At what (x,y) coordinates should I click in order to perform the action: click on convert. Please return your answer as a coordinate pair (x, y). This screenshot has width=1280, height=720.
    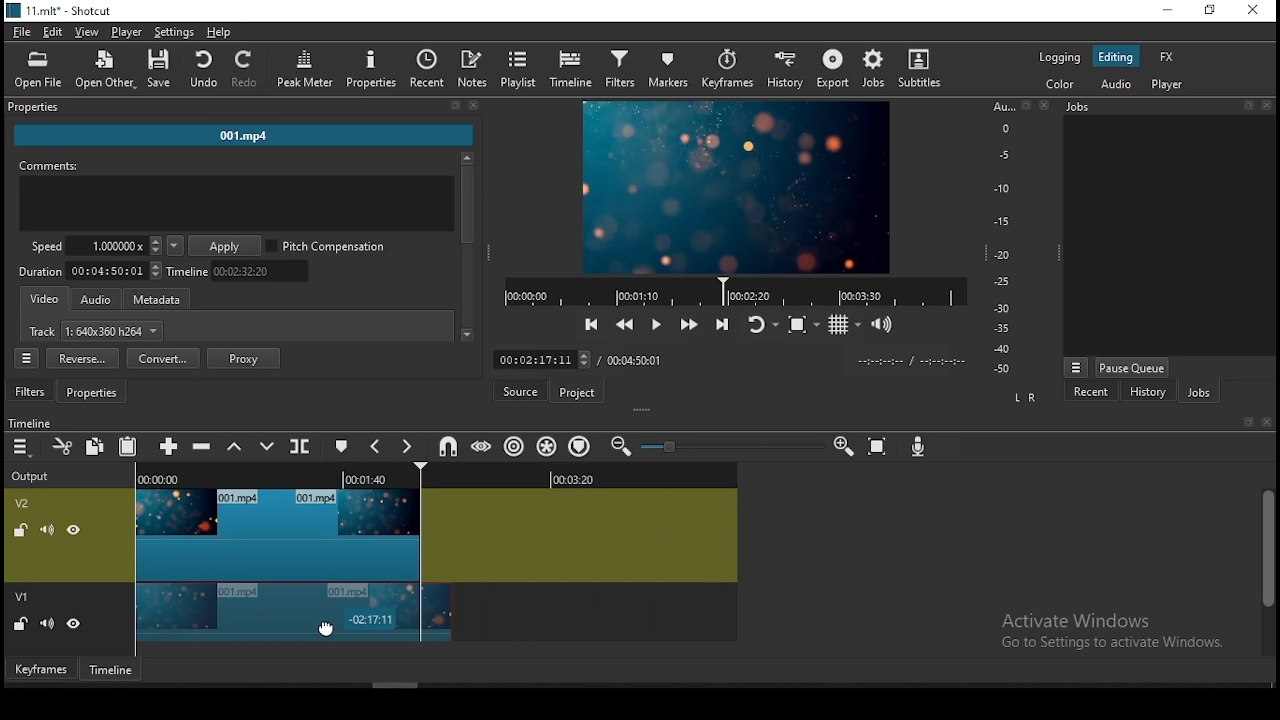
    Looking at the image, I should click on (163, 358).